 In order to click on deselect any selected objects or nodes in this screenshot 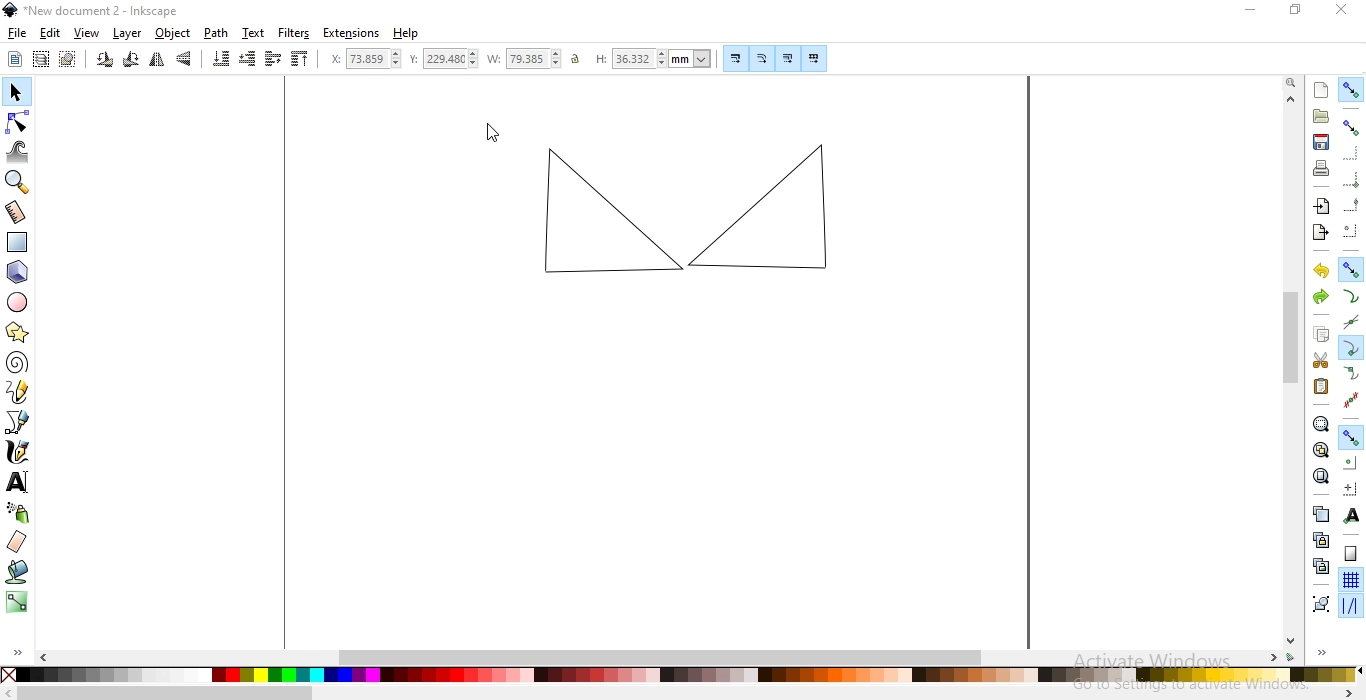, I will do `click(67, 60)`.